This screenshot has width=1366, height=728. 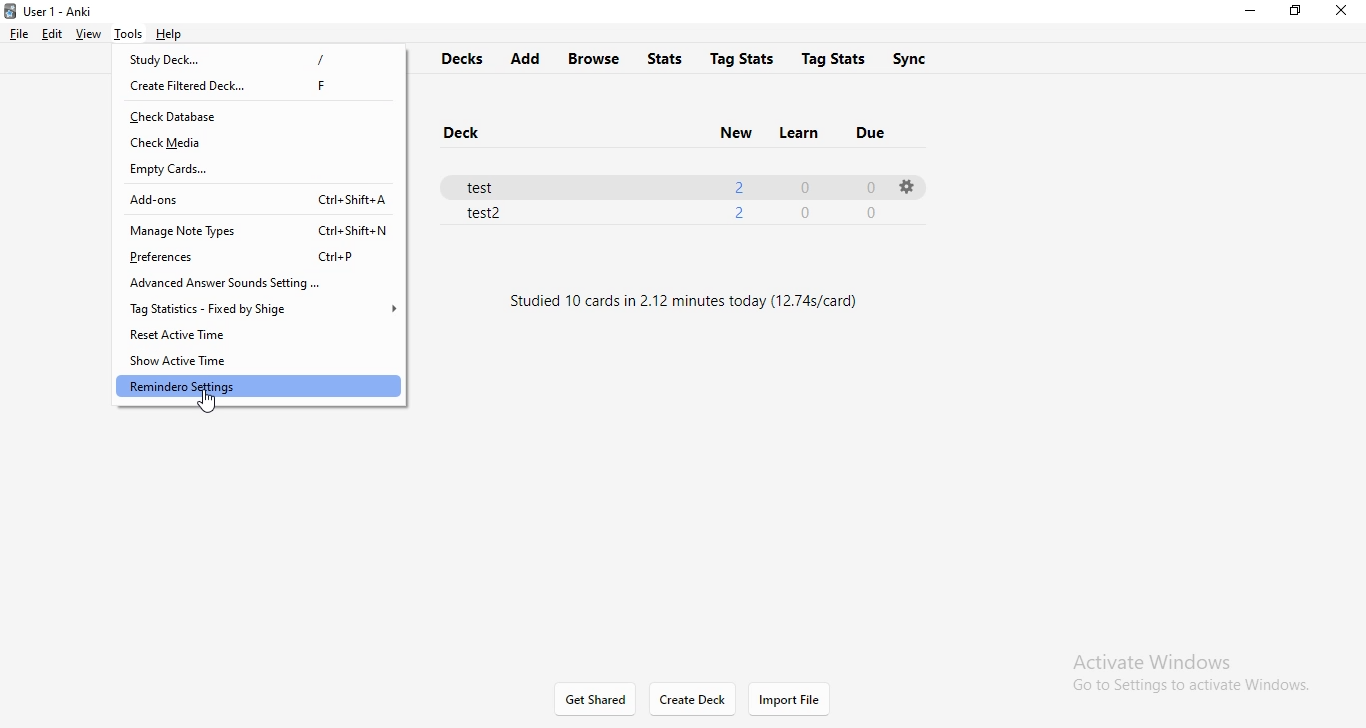 I want to click on 2, so click(x=738, y=210).